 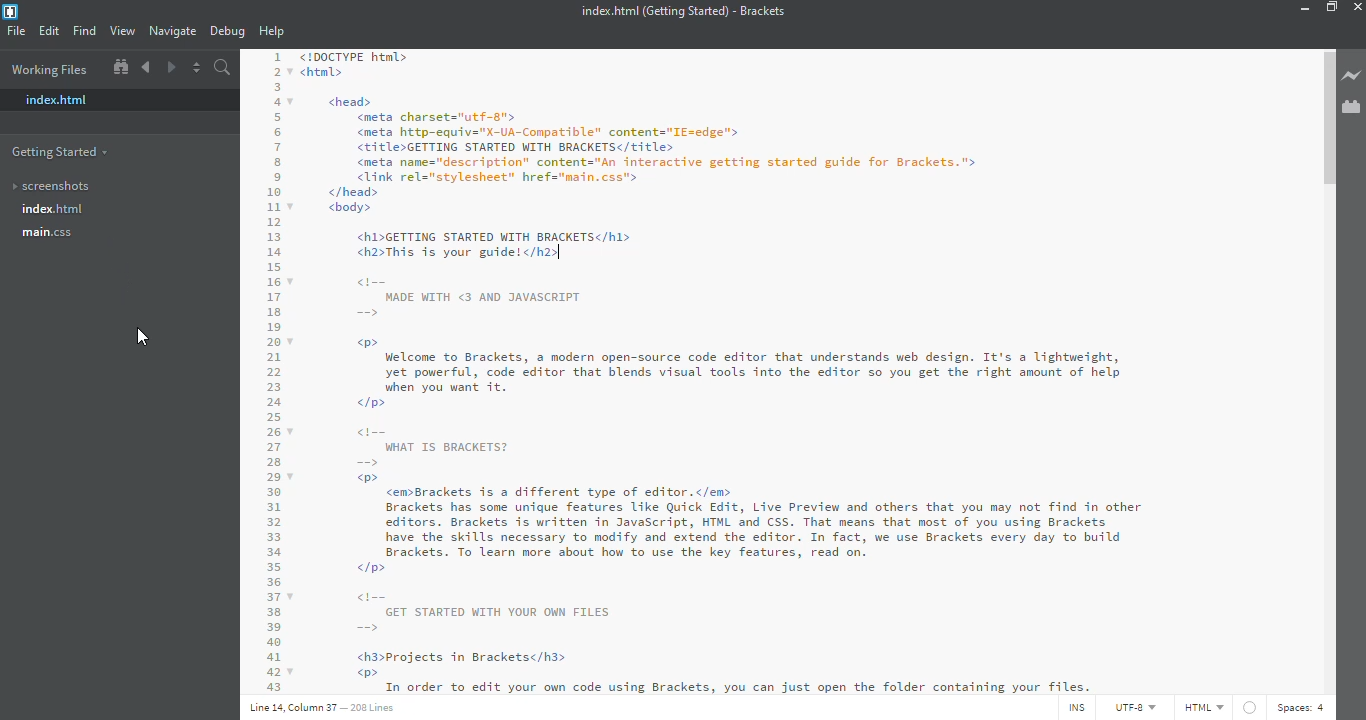 What do you see at coordinates (1333, 8) in the screenshot?
I see `maximize` at bounding box center [1333, 8].